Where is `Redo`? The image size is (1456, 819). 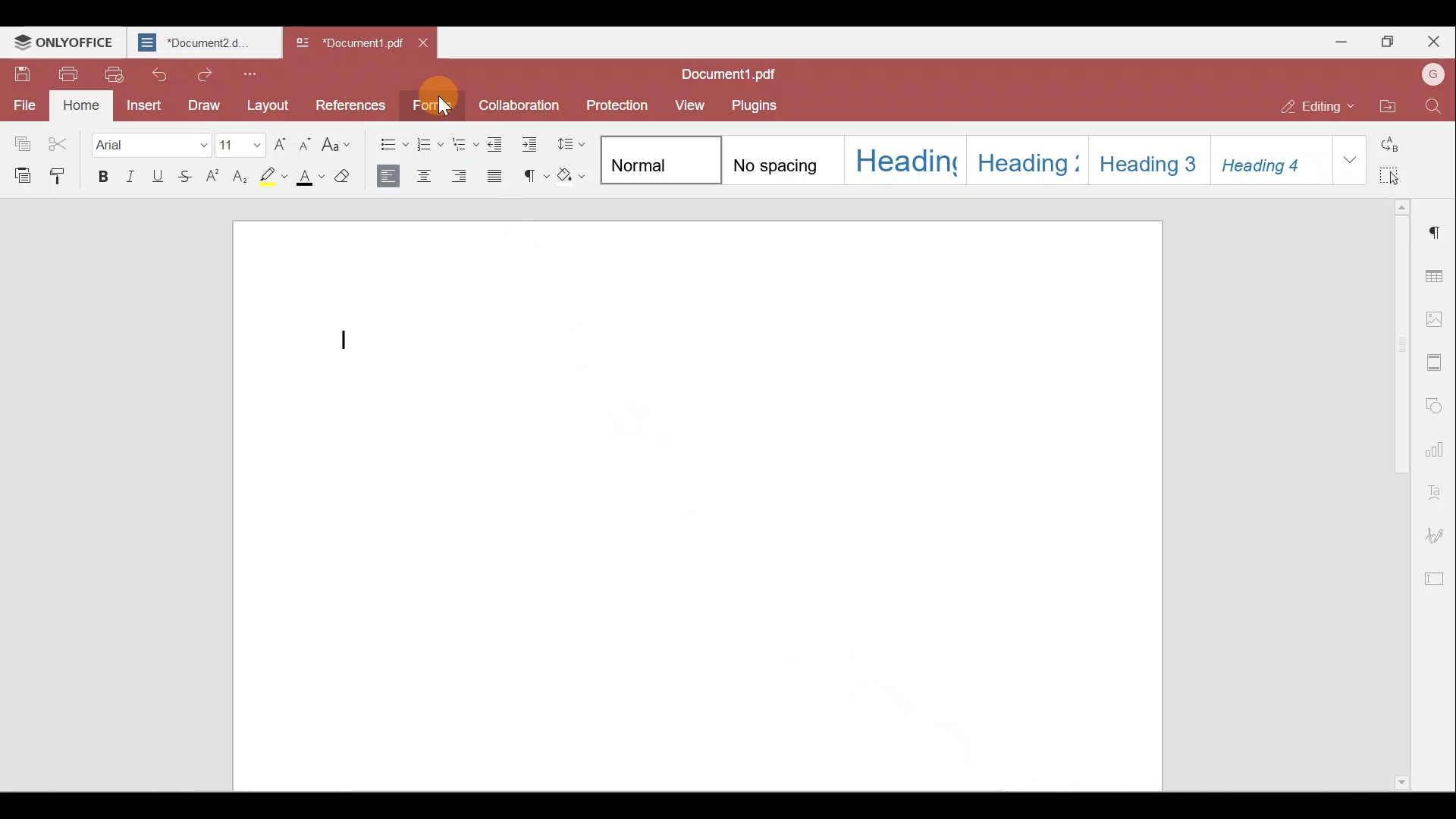 Redo is located at coordinates (200, 74).